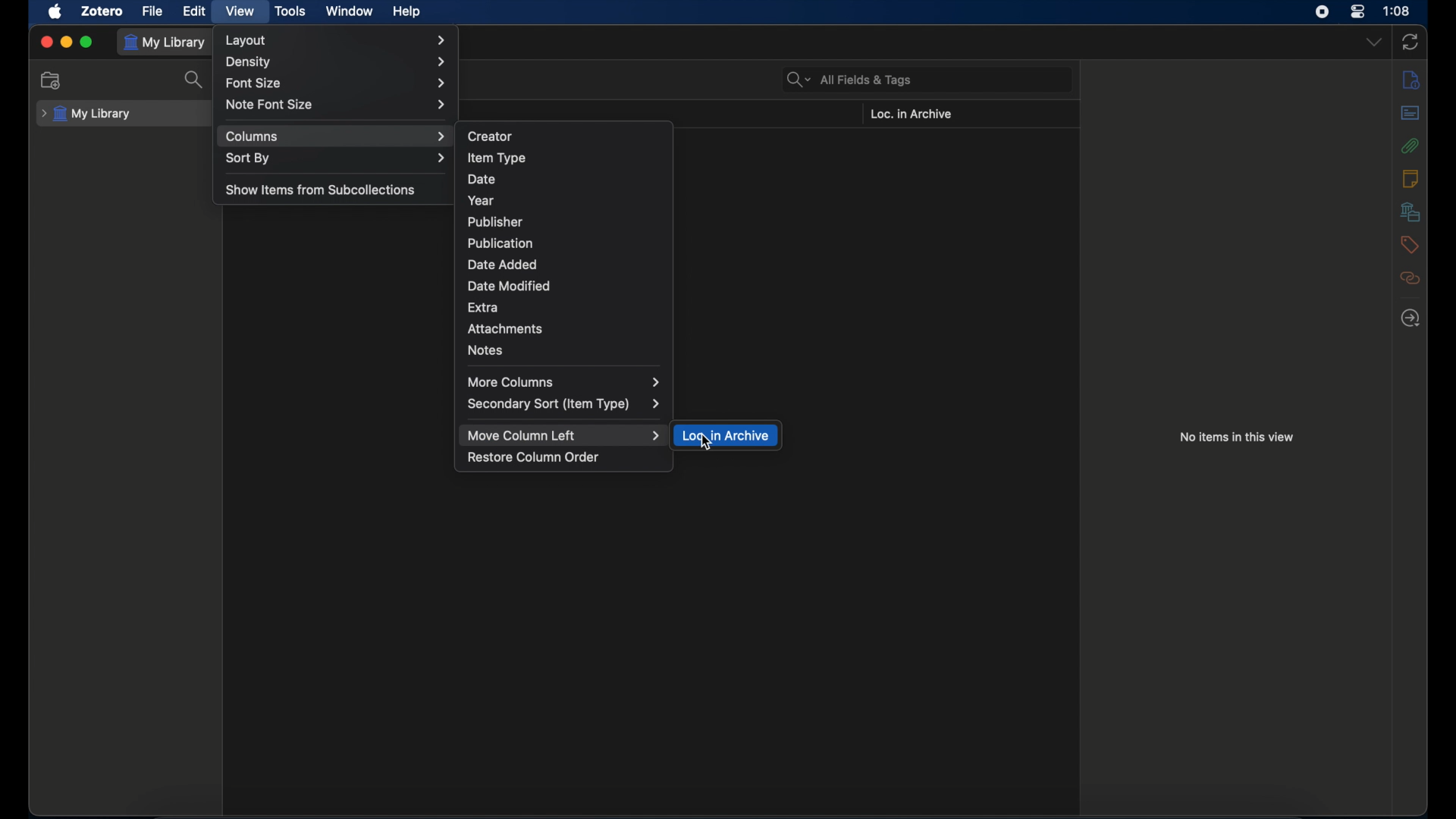 Image resolution: width=1456 pixels, height=819 pixels. Describe the element at coordinates (153, 11) in the screenshot. I see `file` at that location.